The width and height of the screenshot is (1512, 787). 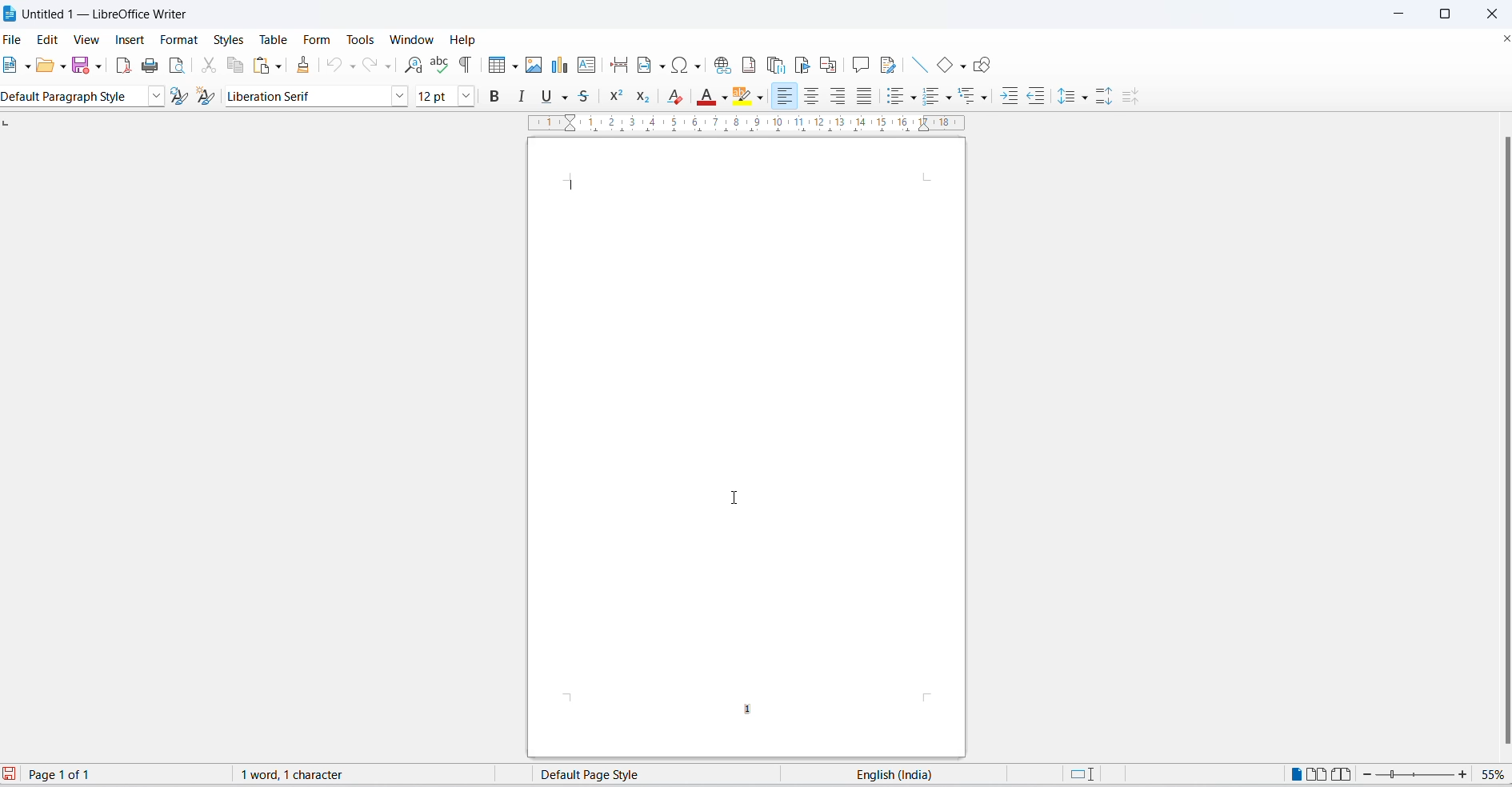 I want to click on help, so click(x=470, y=41).